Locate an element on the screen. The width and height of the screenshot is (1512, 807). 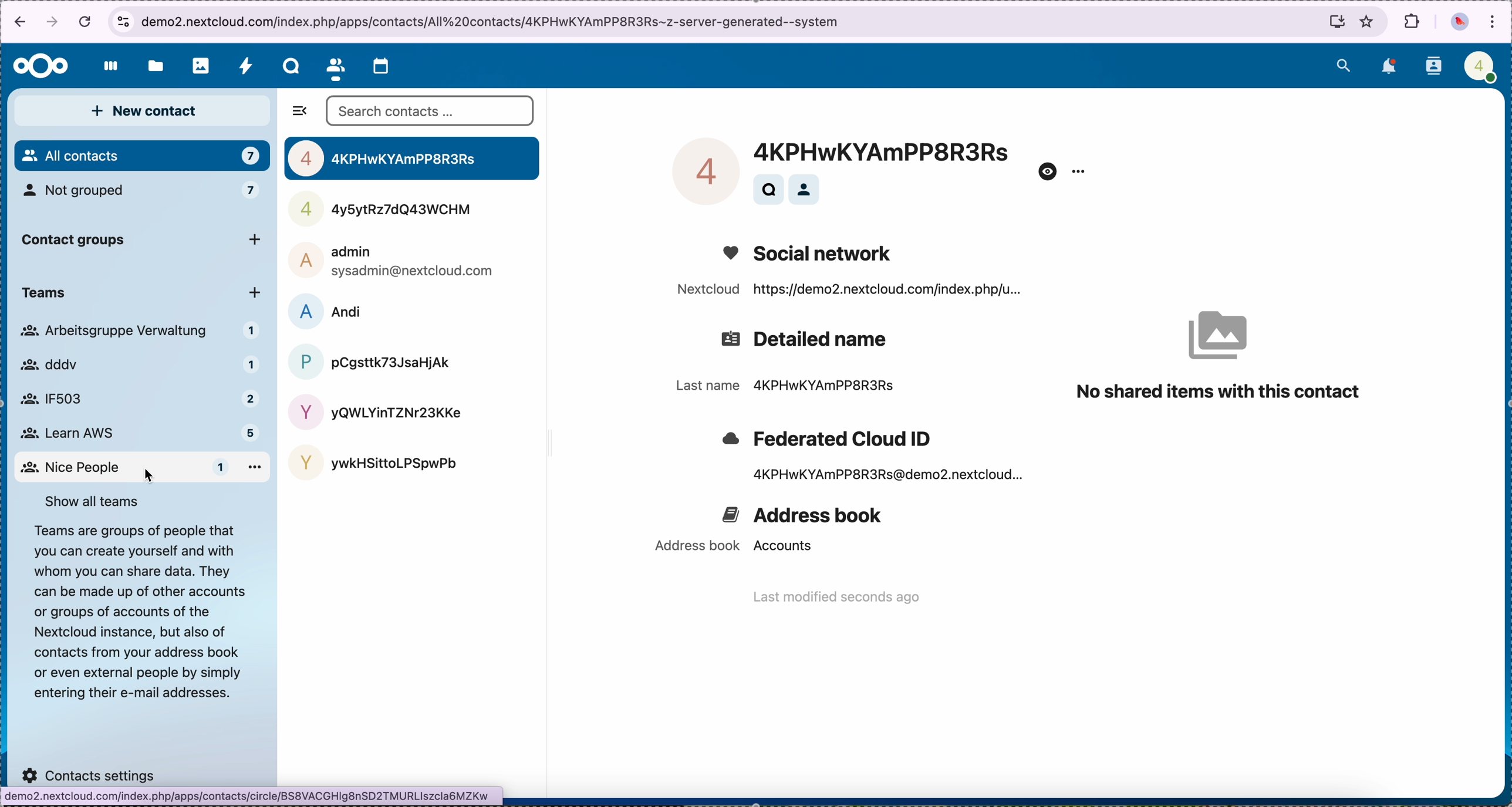
profile picture is located at coordinates (1459, 22).